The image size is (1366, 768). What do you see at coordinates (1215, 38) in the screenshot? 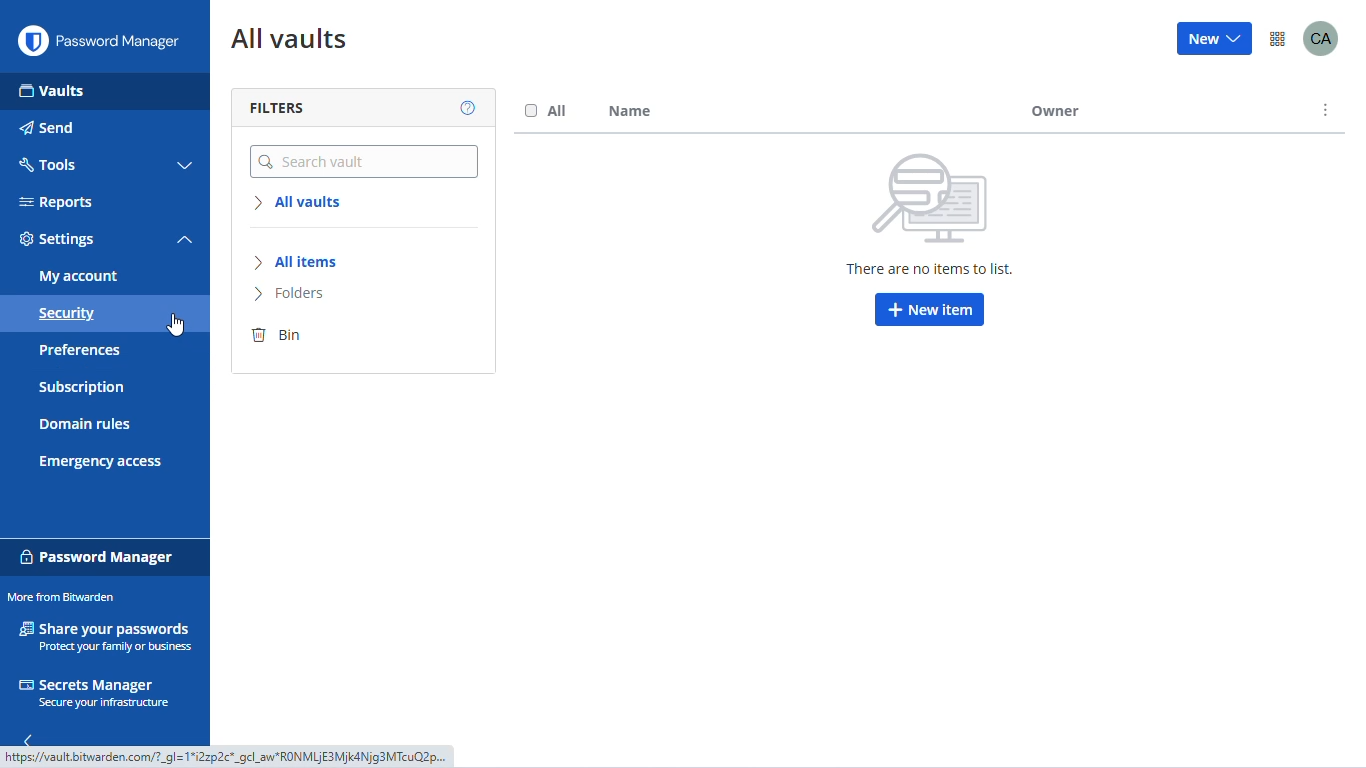
I see `new` at bounding box center [1215, 38].